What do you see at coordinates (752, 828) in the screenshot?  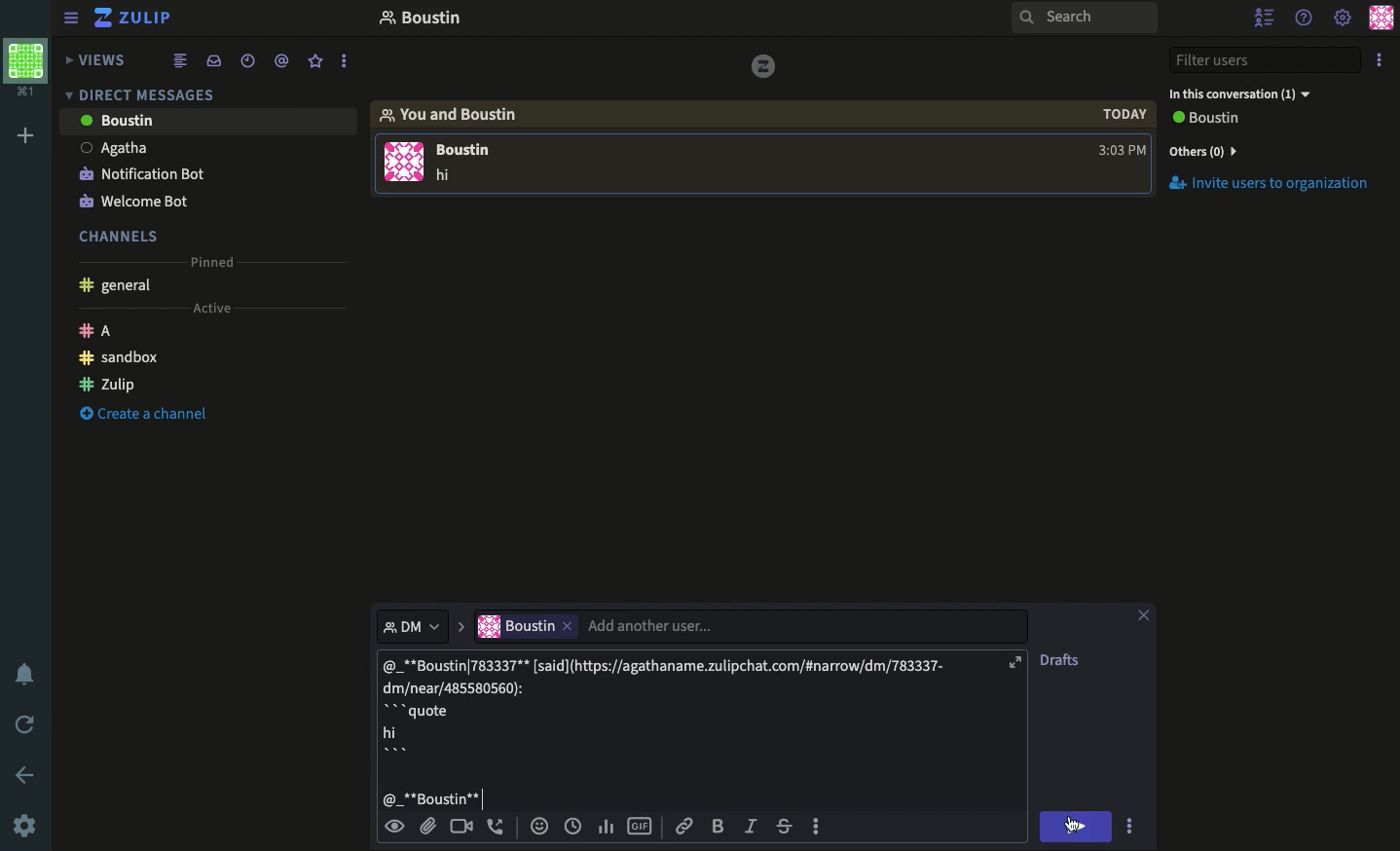 I see `Italics` at bounding box center [752, 828].